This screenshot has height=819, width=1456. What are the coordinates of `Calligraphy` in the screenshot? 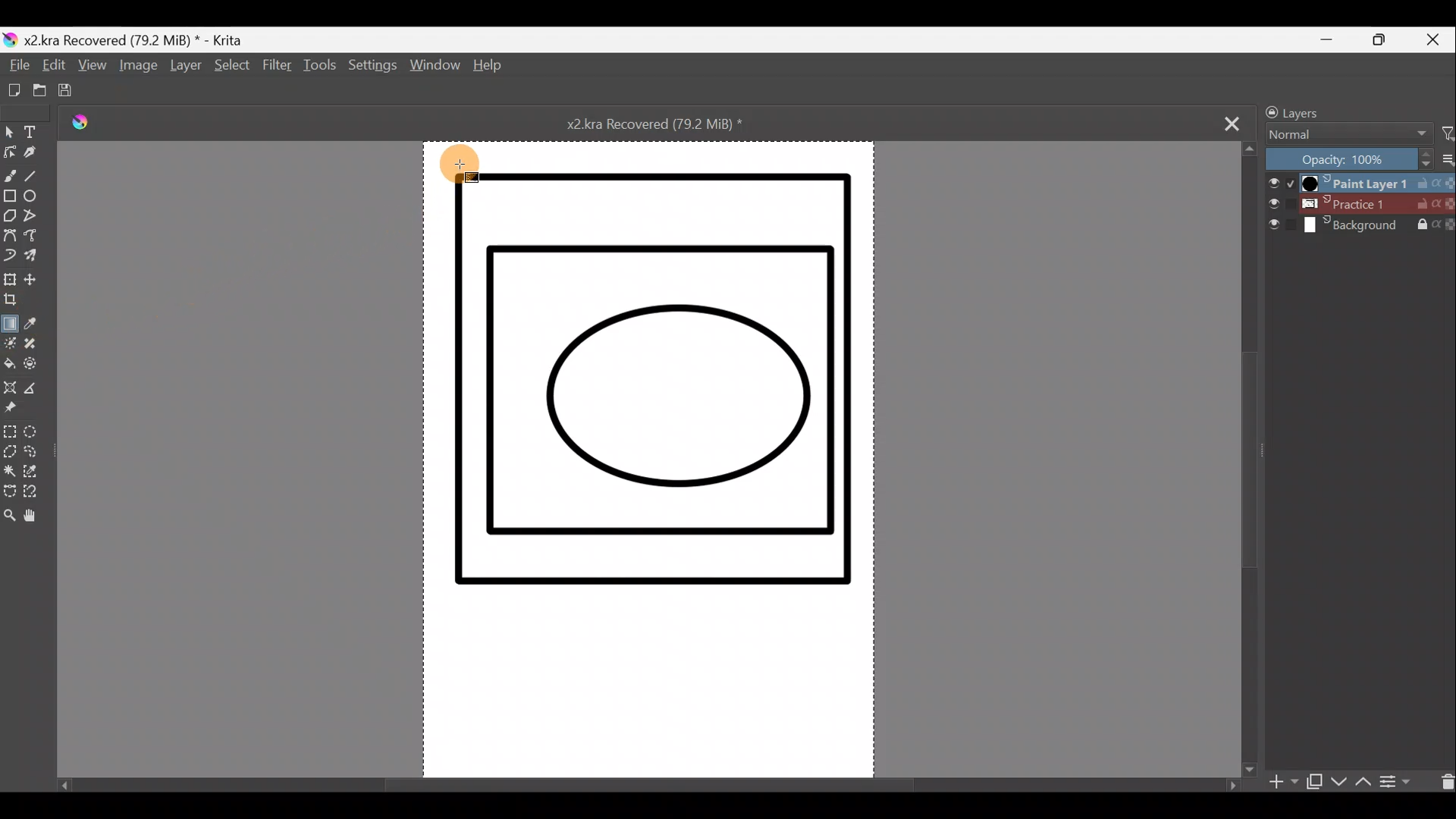 It's located at (30, 157).